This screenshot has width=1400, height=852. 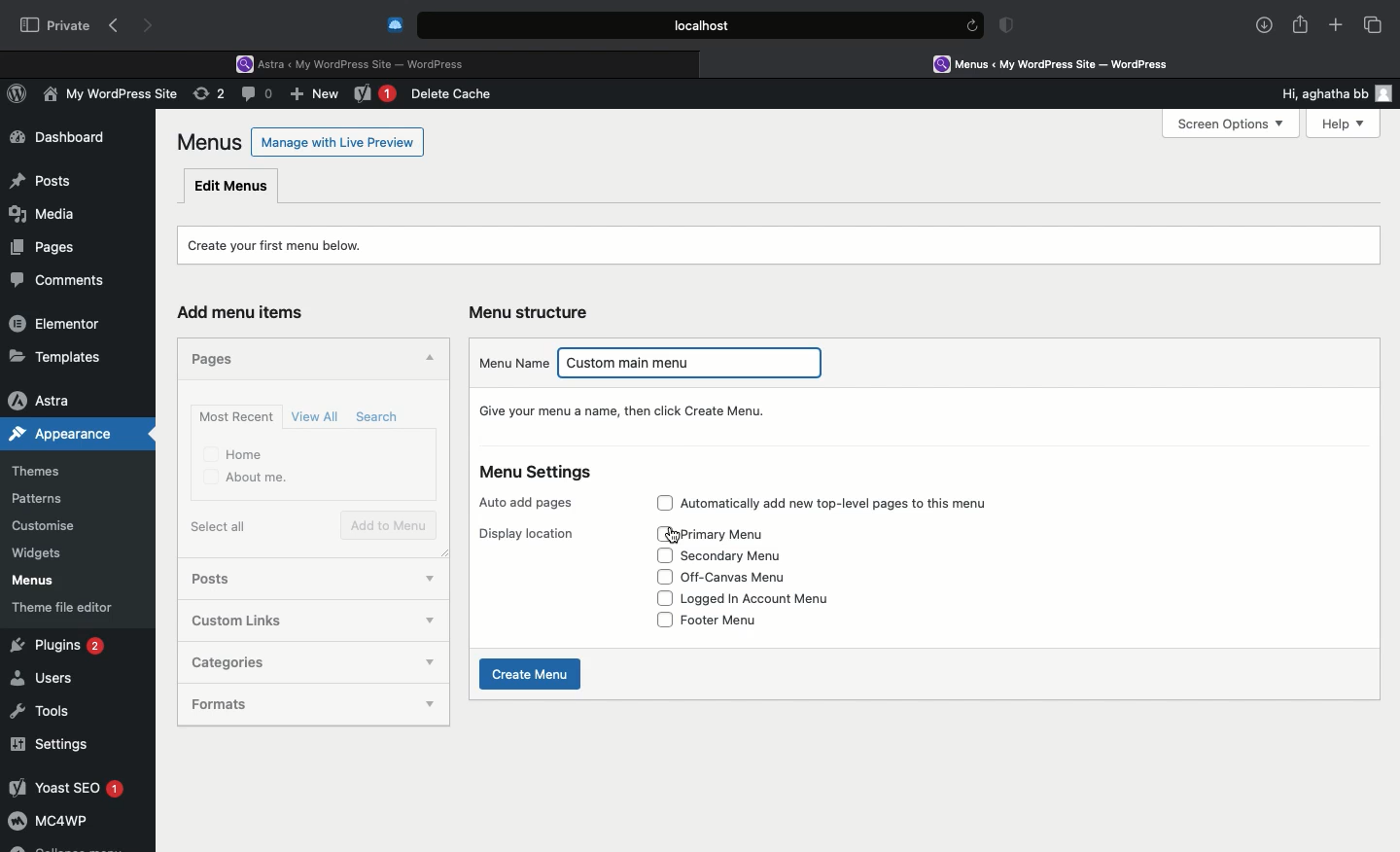 What do you see at coordinates (380, 417) in the screenshot?
I see `Search` at bounding box center [380, 417].